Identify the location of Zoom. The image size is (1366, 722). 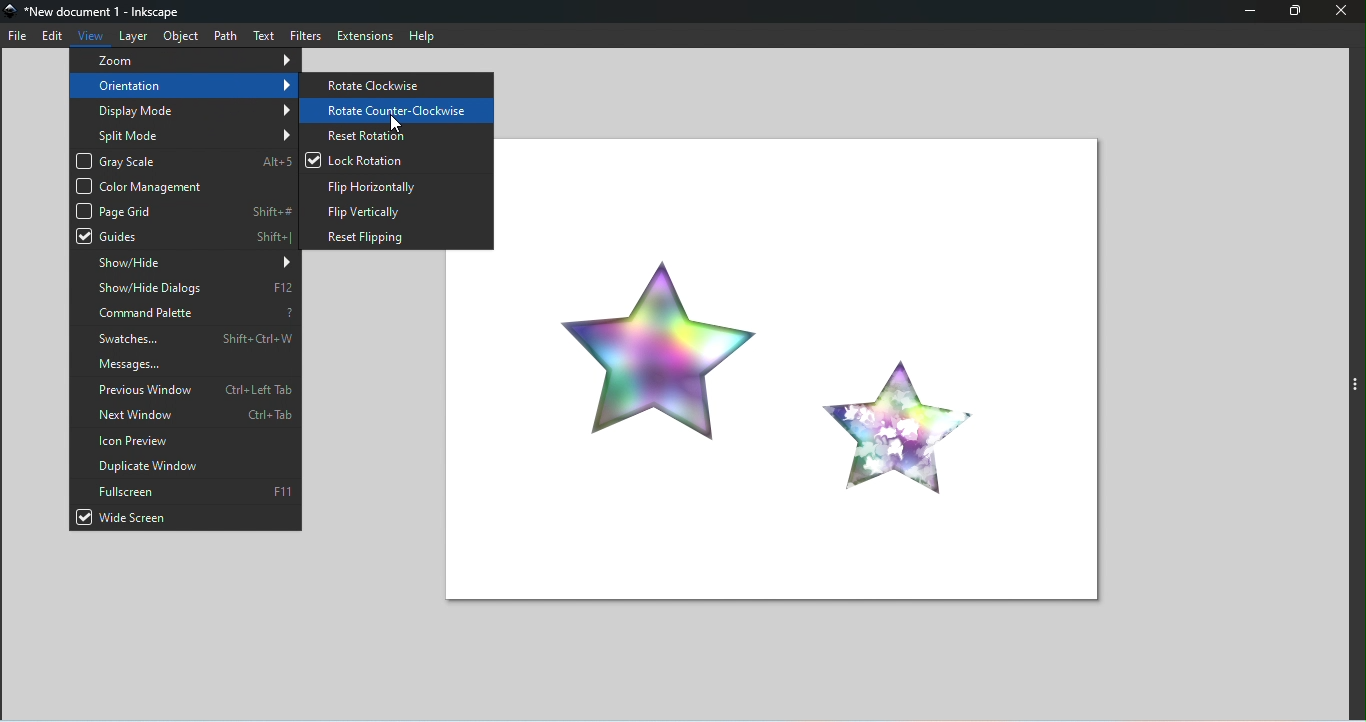
(185, 59).